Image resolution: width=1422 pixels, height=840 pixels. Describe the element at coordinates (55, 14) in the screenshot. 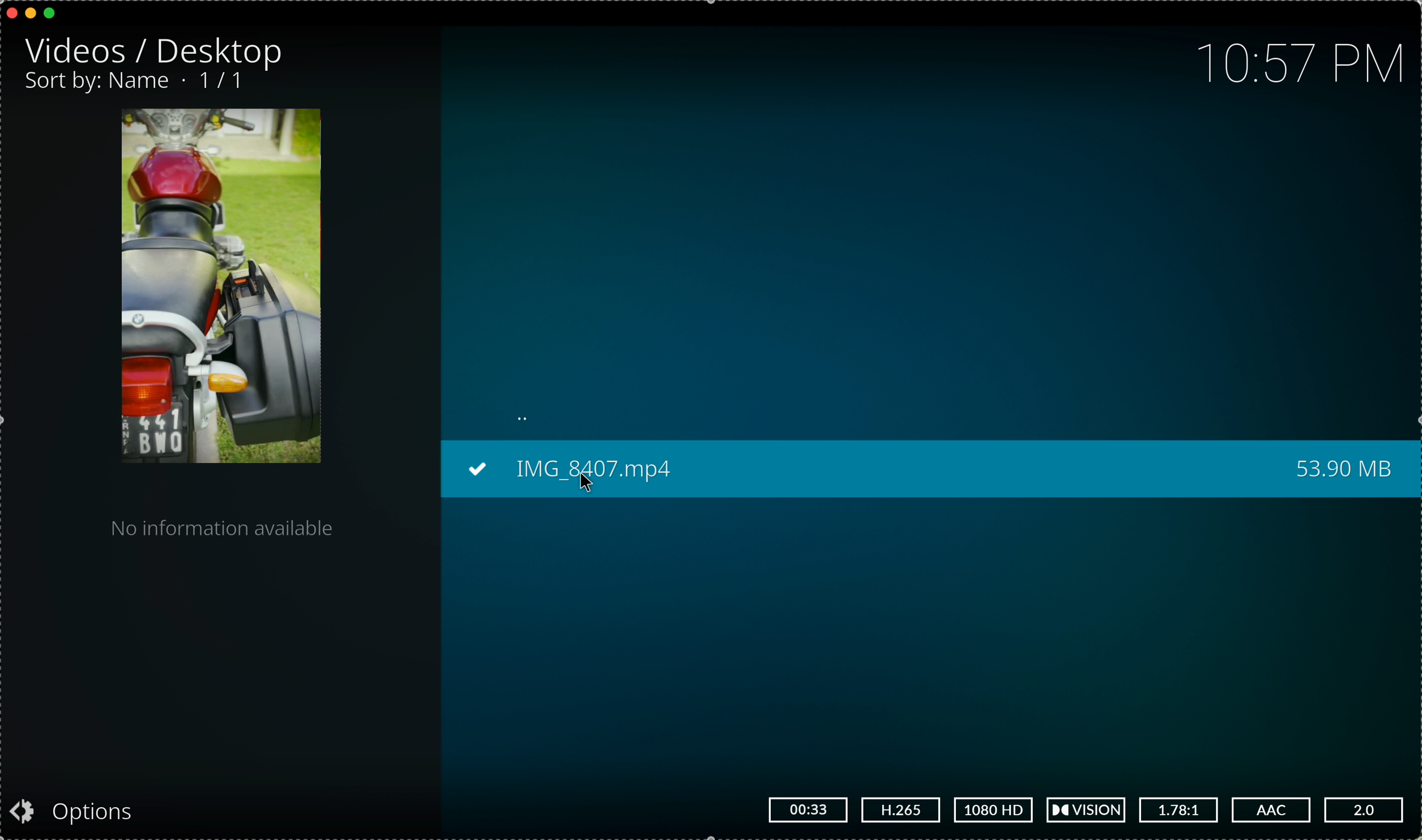

I see `maximize program` at that location.